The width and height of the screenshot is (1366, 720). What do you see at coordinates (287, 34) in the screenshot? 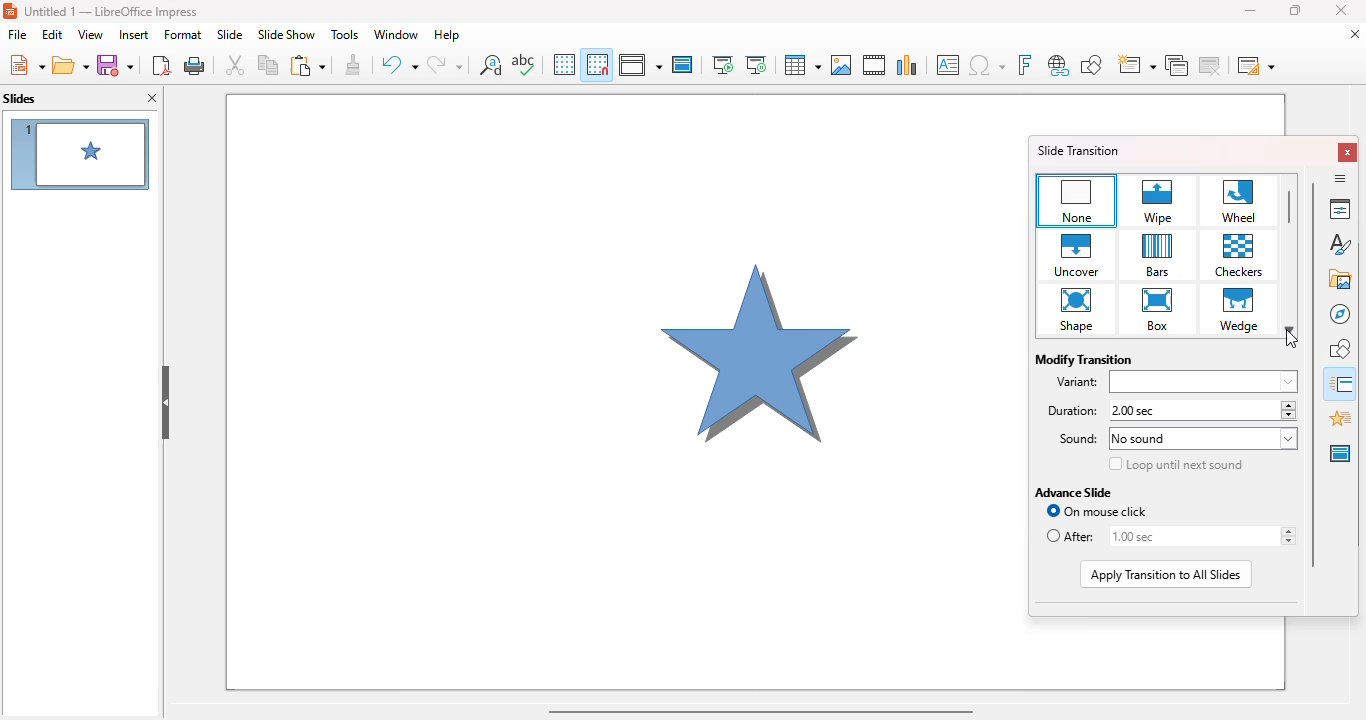
I see `slide show` at bounding box center [287, 34].